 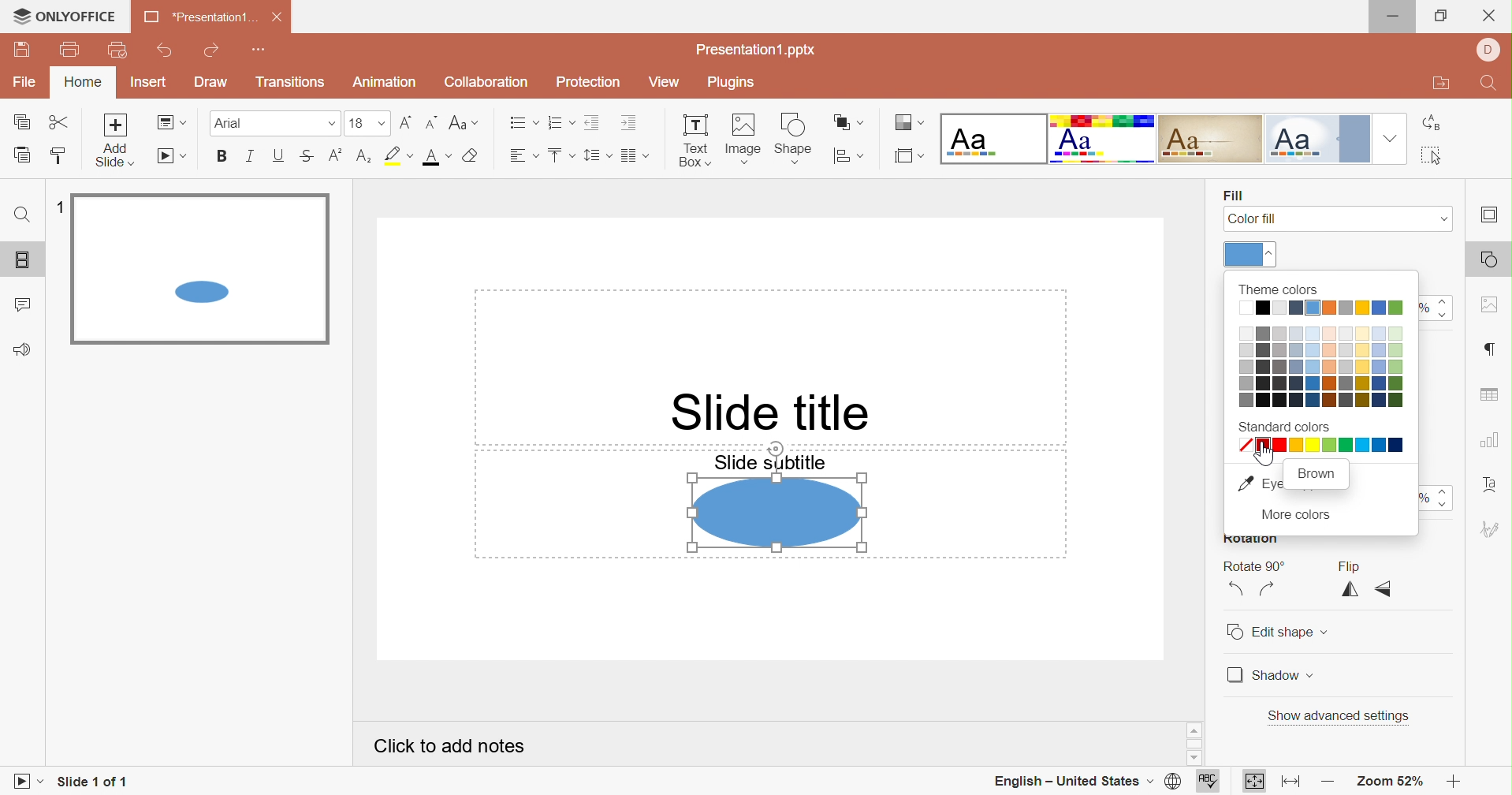 What do you see at coordinates (1211, 139) in the screenshot?
I see `Classic` at bounding box center [1211, 139].